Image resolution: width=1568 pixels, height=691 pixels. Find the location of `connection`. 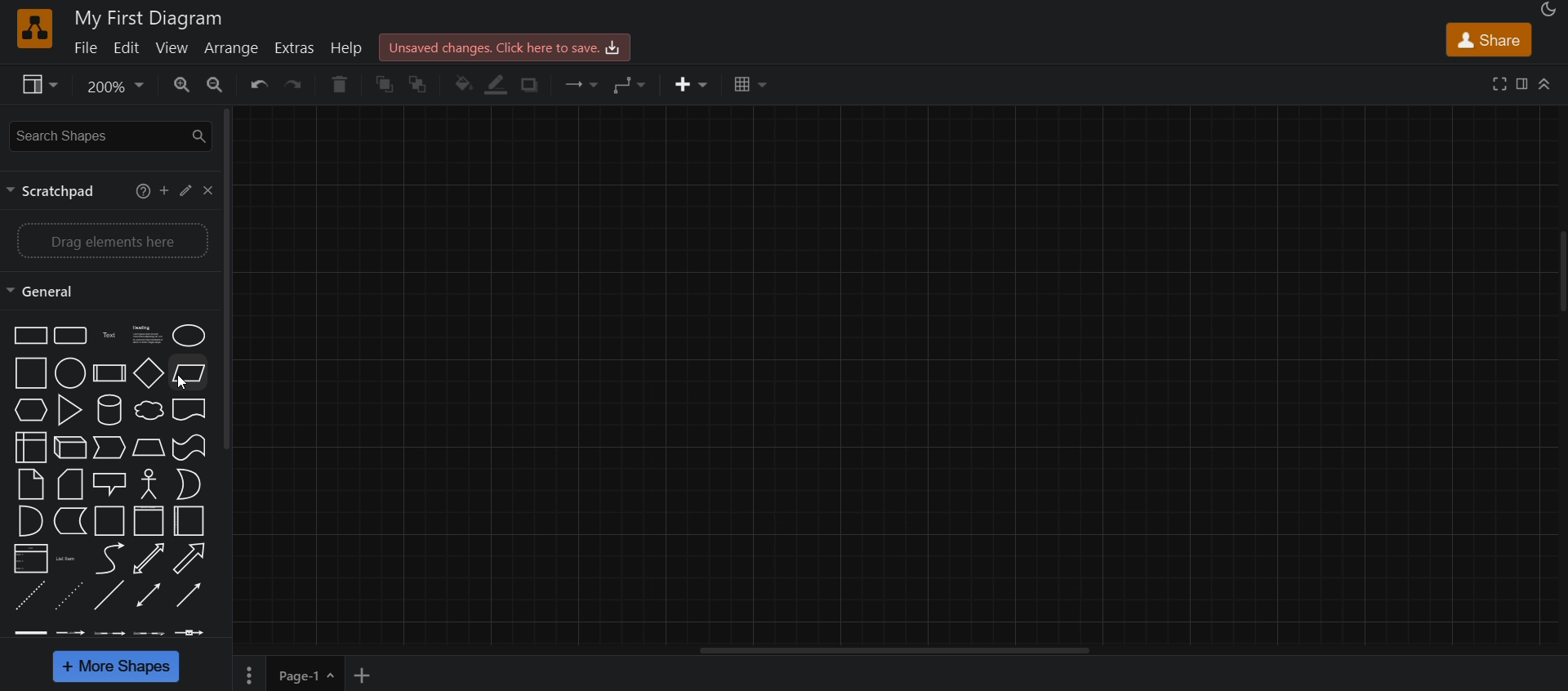

connection is located at coordinates (584, 84).